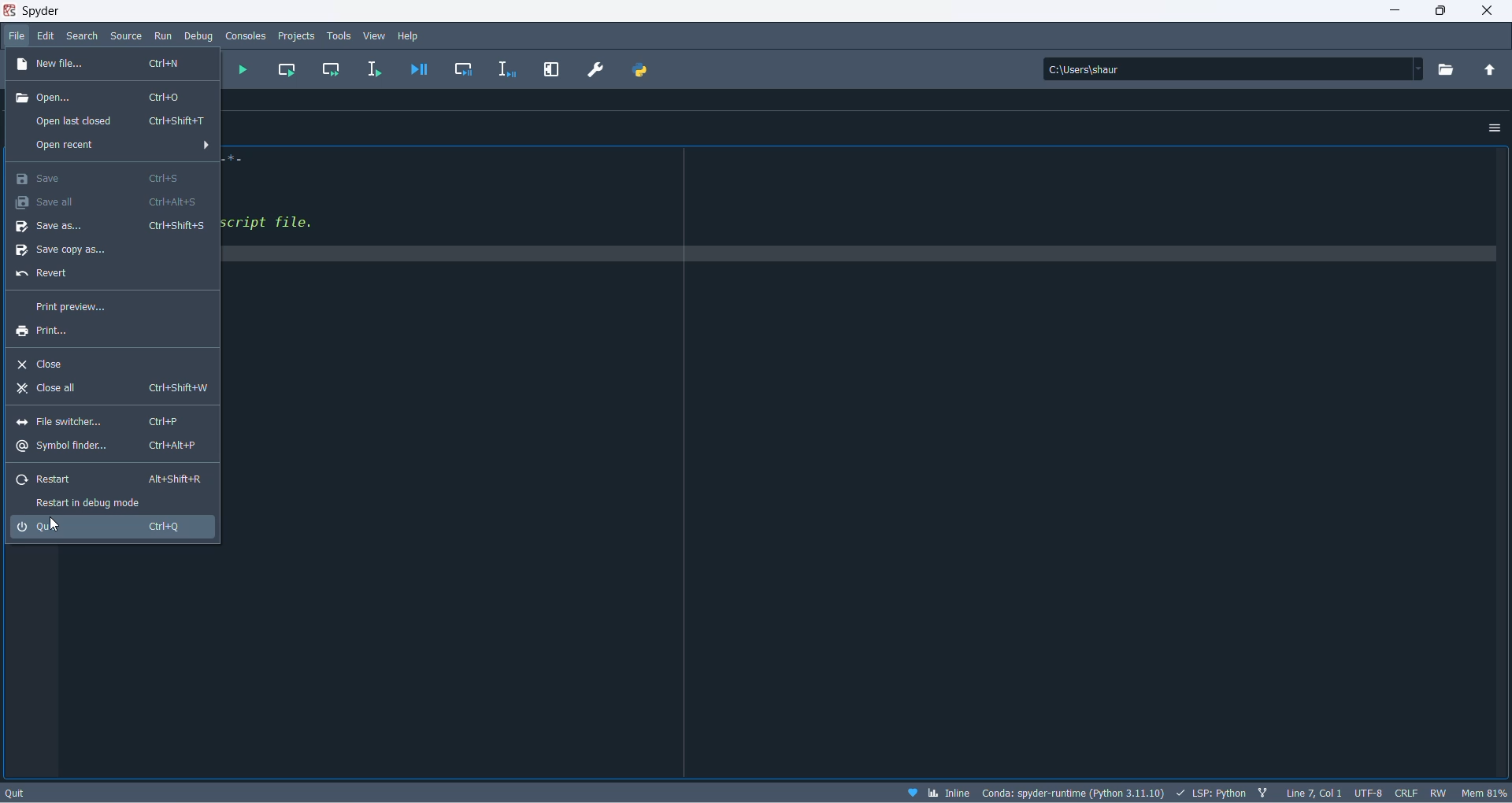  What do you see at coordinates (110, 447) in the screenshot?
I see `symbol finder` at bounding box center [110, 447].